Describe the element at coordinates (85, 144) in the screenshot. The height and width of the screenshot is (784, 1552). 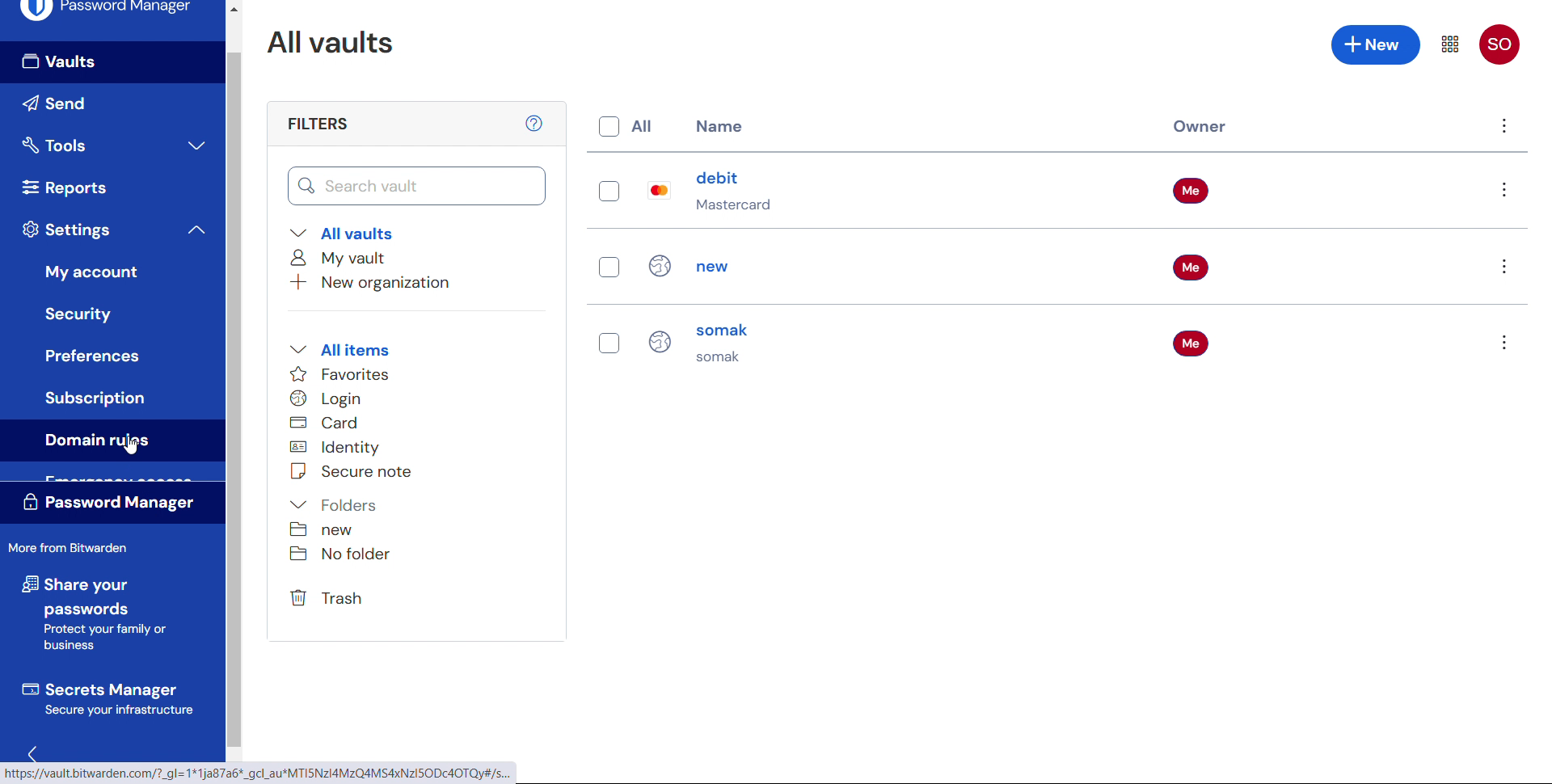
I see `Tools ` at that location.